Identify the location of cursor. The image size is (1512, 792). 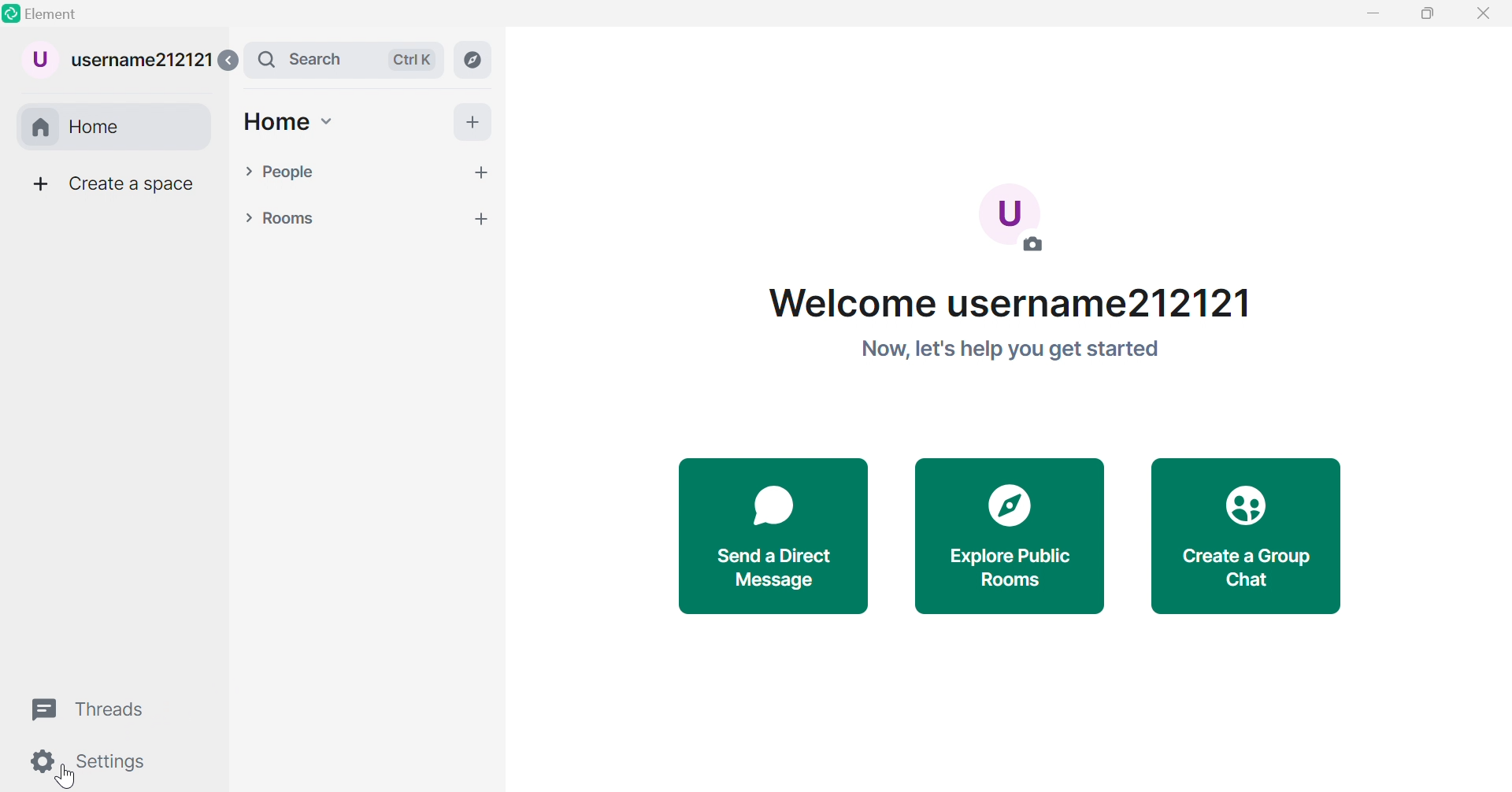
(64, 777).